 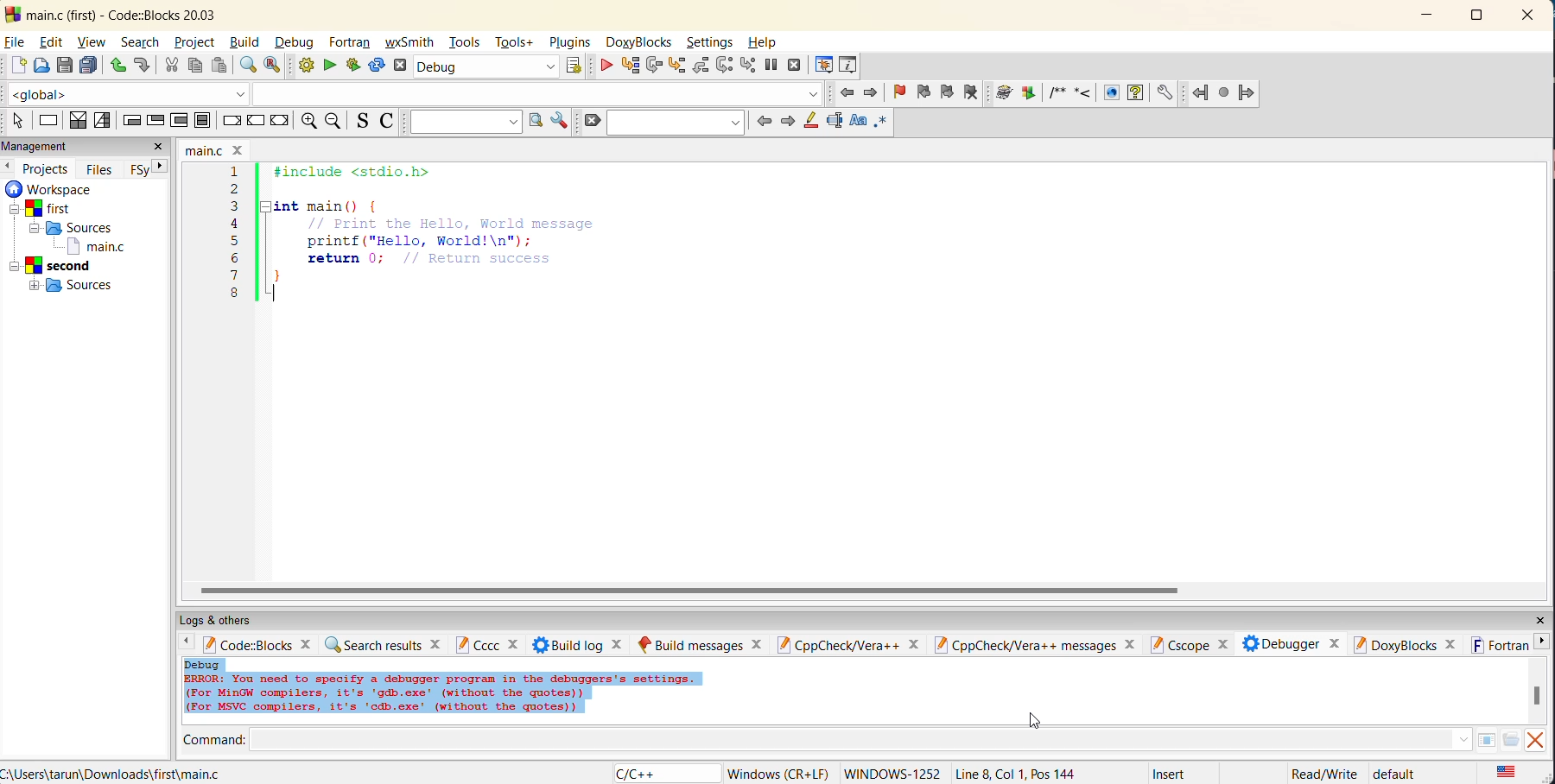 I want to click on use regex, so click(x=882, y=122).